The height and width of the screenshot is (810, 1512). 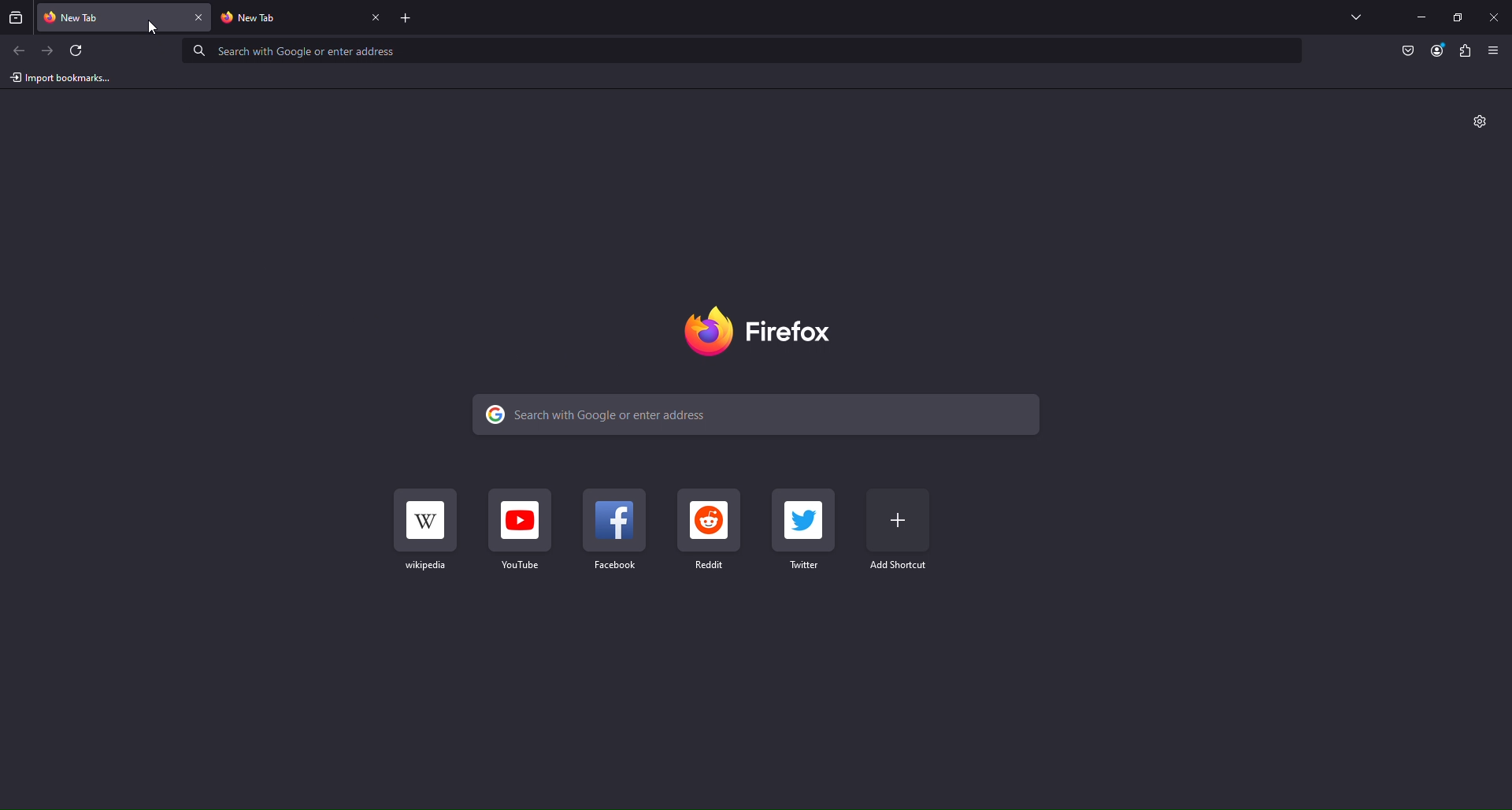 What do you see at coordinates (805, 529) in the screenshot?
I see `Twitter Shortcut` at bounding box center [805, 529].